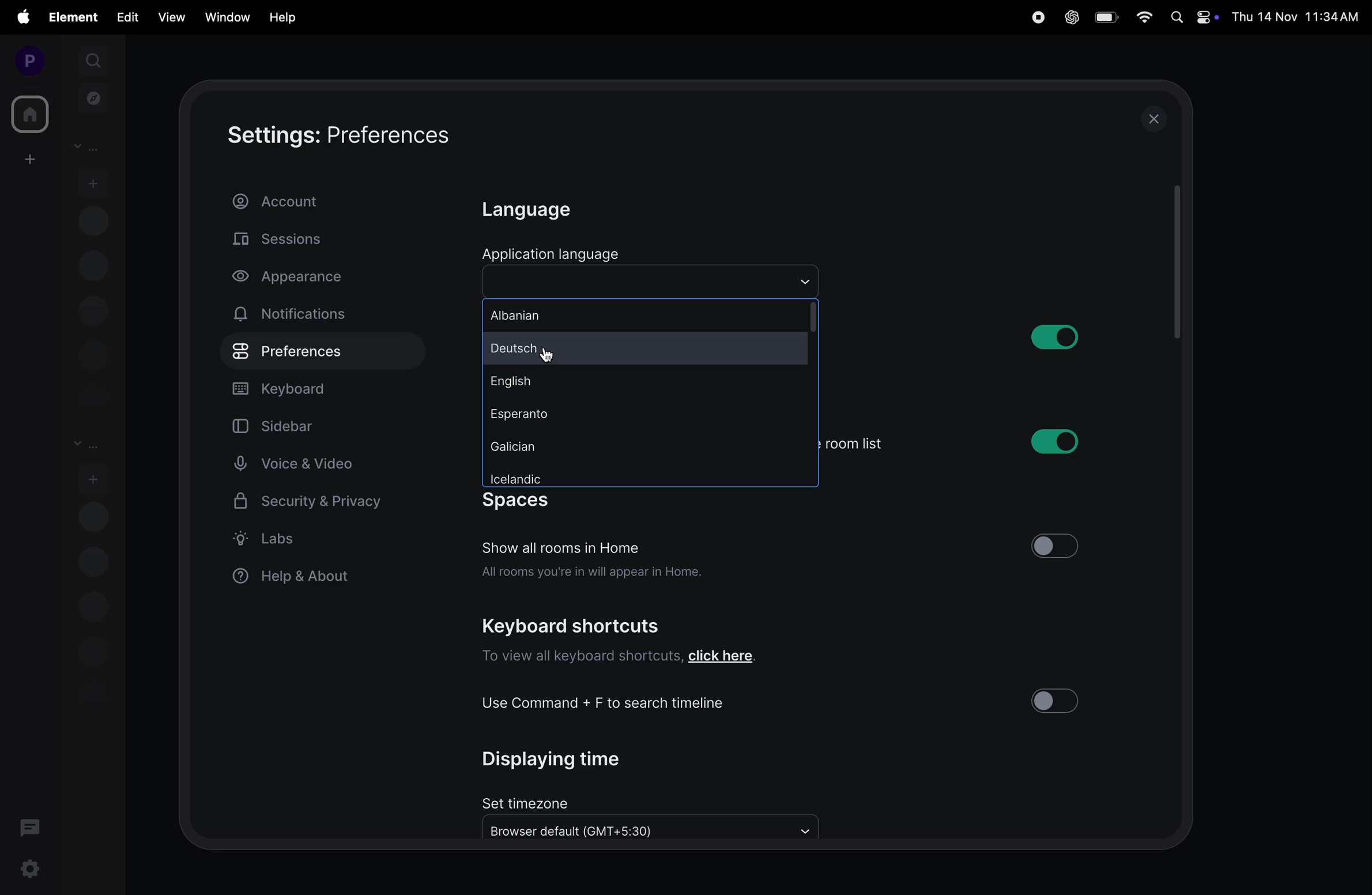  I want to click on icelandic, so click(649, 477).